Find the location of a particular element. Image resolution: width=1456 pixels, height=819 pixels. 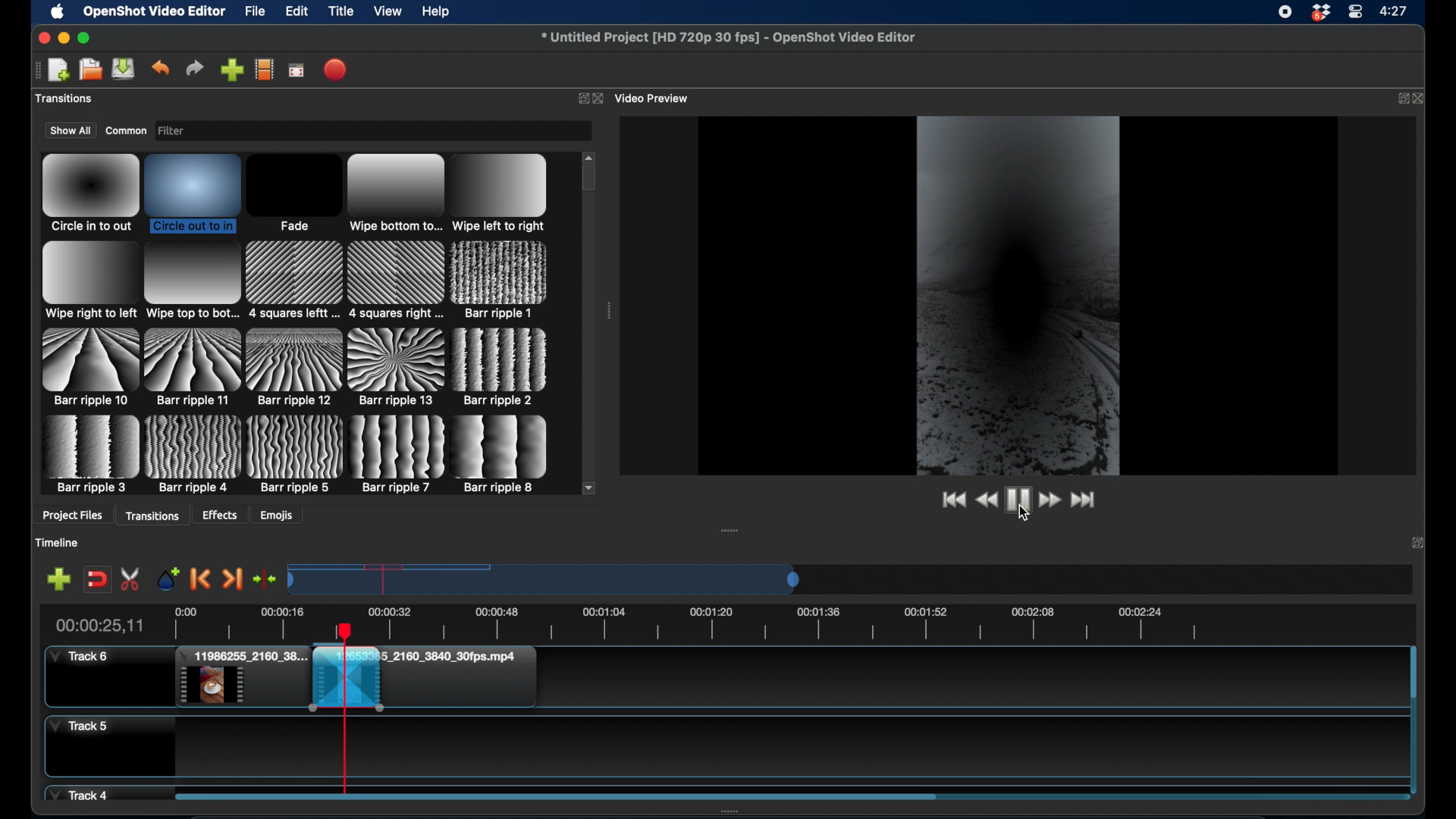

file name is located at coordinates (730, 38).